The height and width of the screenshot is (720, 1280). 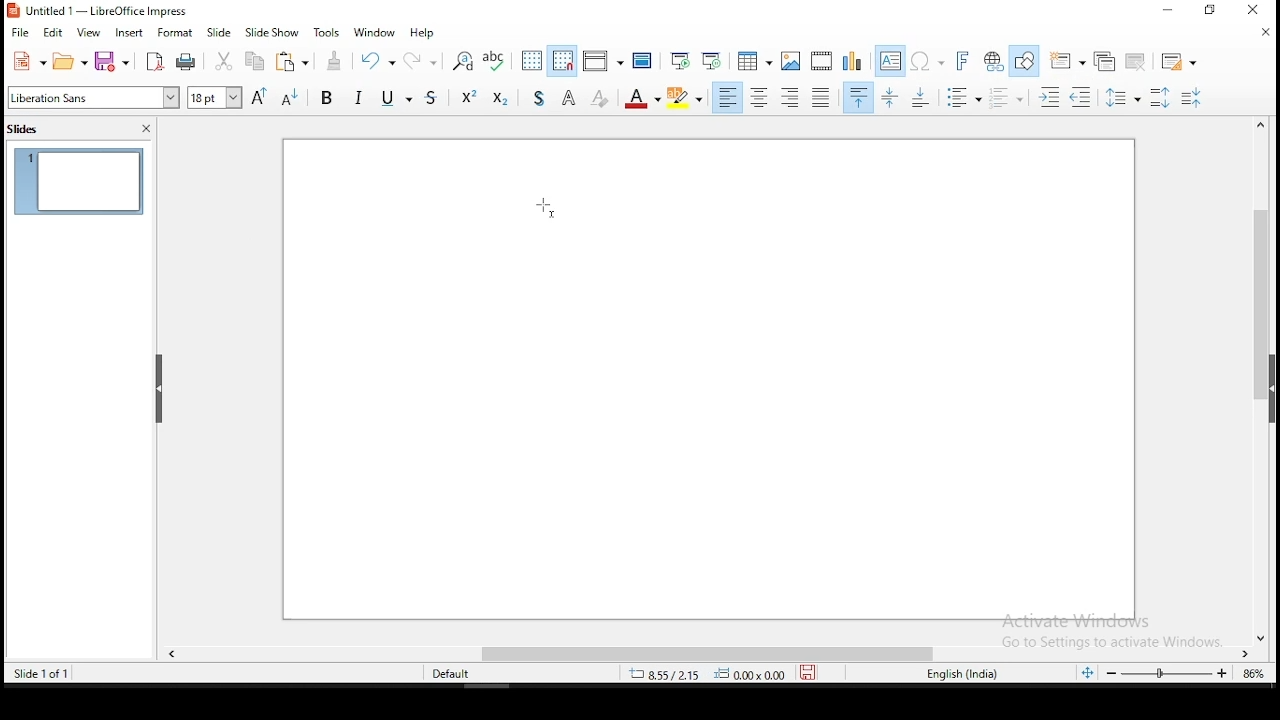 What do you see at coordinates (334, 60) in the screenshot?
I see `clone formatting` at bounding box center [334, 60].